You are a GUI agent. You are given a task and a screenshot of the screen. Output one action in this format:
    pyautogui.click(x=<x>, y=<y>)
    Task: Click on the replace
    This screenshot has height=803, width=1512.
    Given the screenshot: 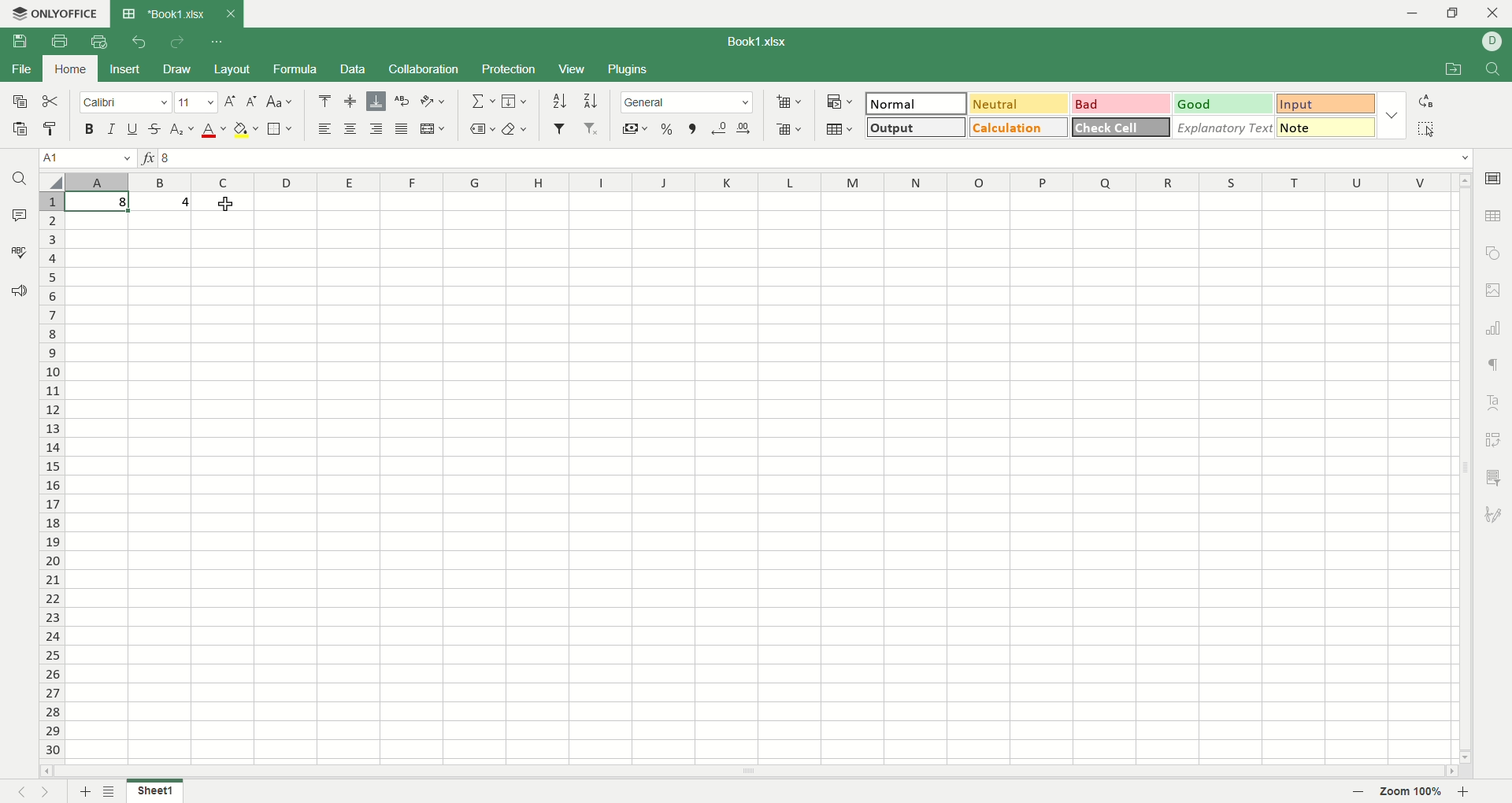 What is the action you would take?
    pyautogui.click(x=1429, y=104)
    